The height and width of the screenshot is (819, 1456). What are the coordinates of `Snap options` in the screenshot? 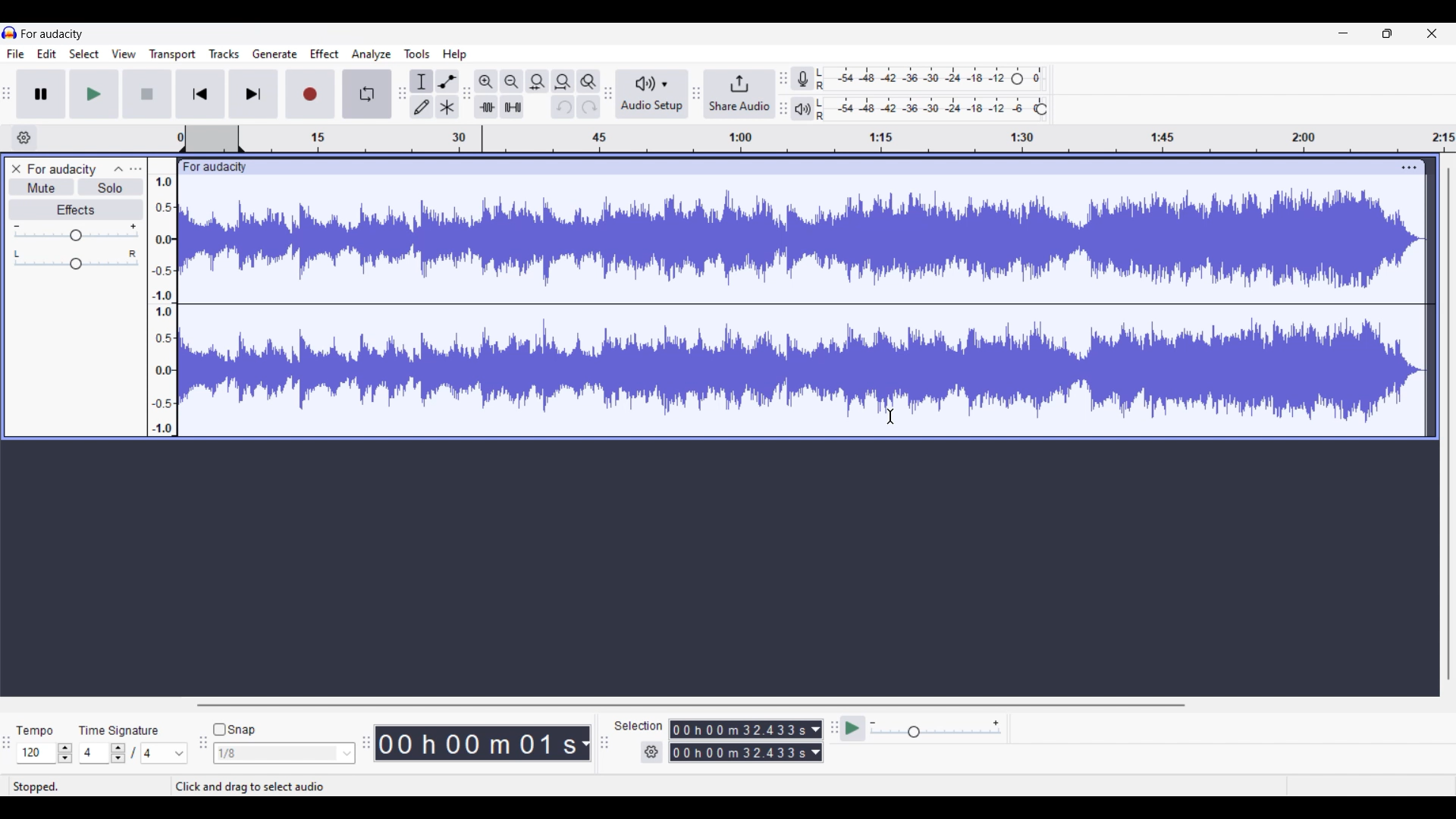 It's located at (284, 753).